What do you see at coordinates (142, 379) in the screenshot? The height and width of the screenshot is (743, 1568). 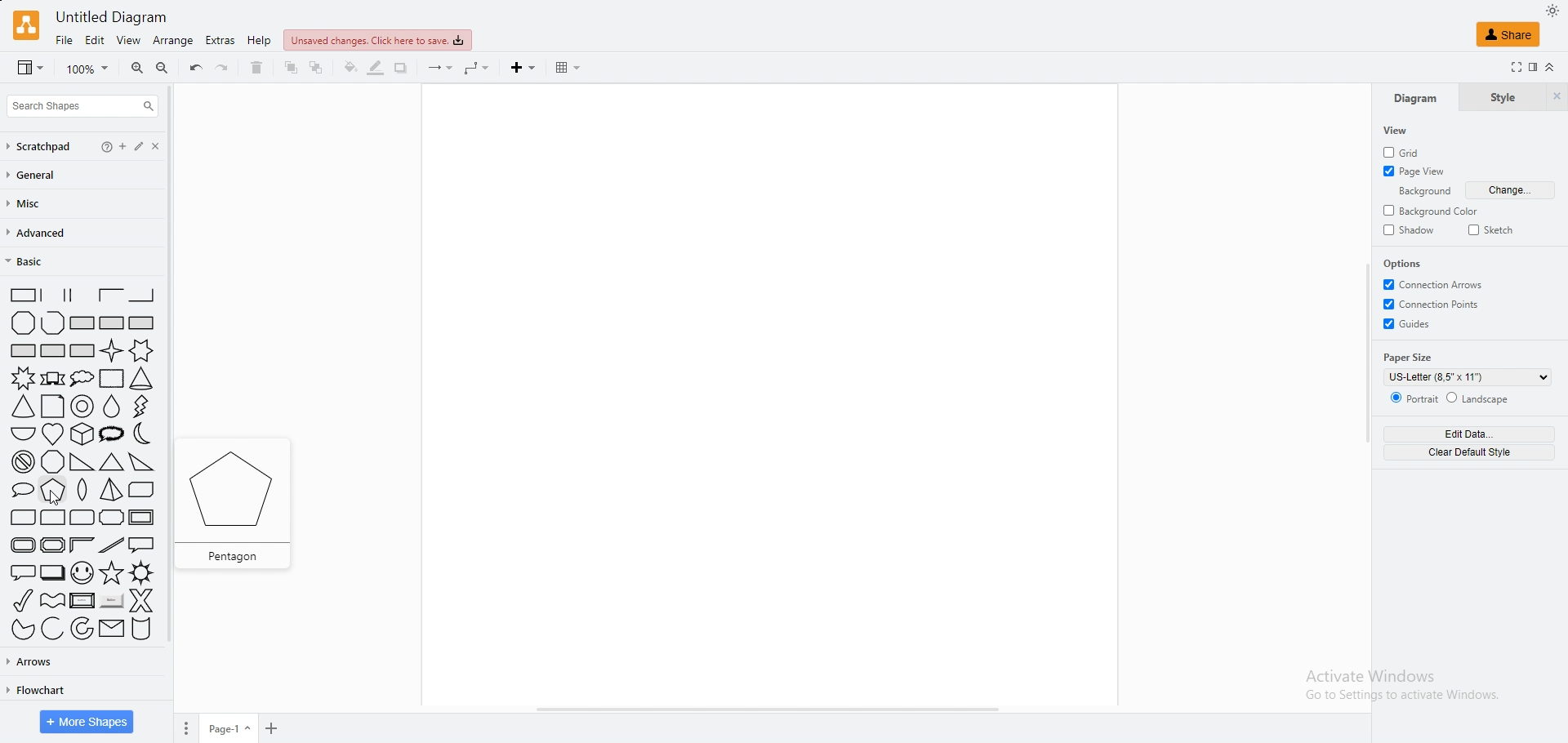 I see `cone` at bounding box center [142, 379].